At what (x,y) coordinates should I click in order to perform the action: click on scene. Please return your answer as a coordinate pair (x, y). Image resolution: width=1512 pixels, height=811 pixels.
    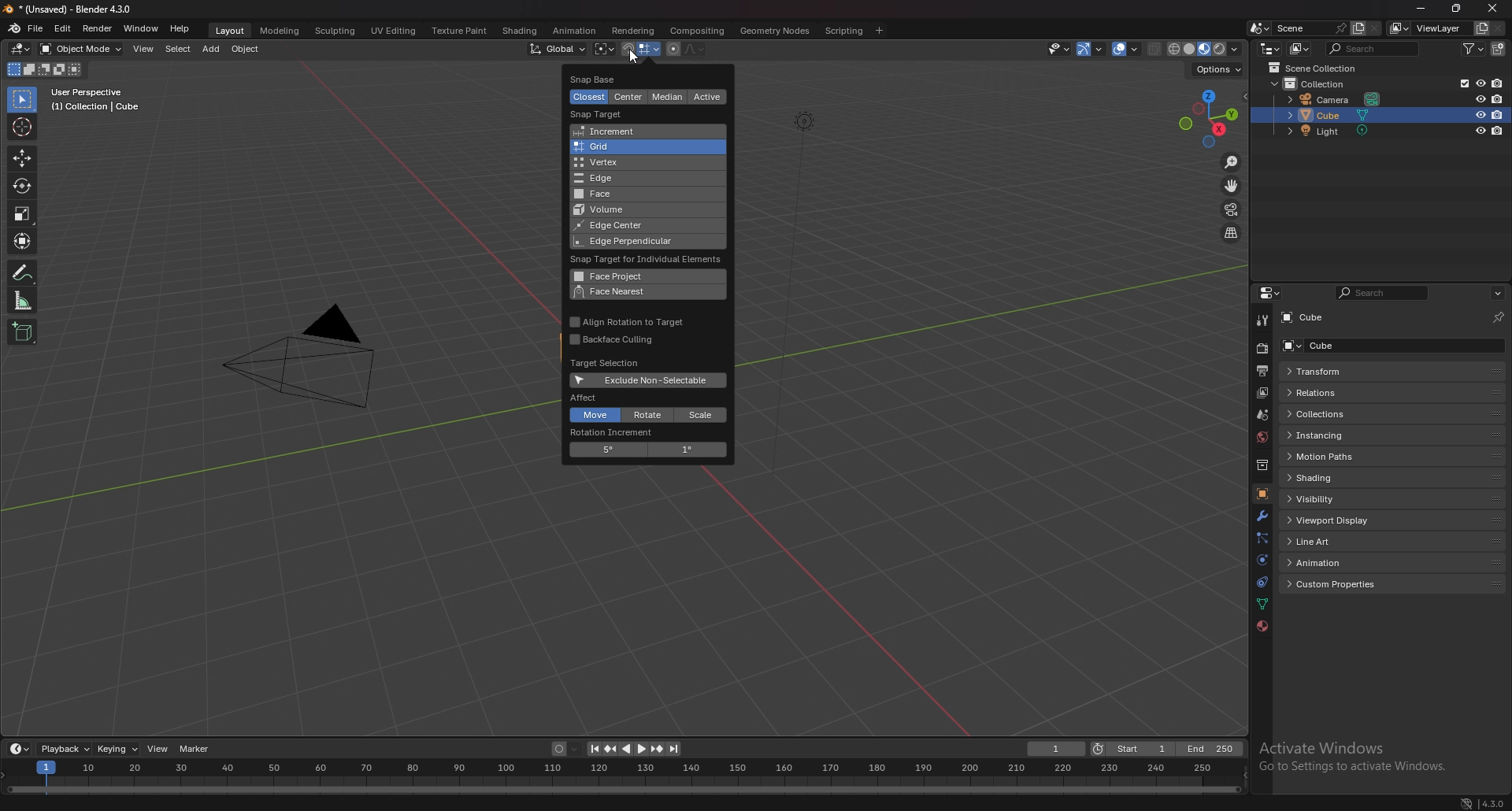
    Looking at the image, I should click on (1262, 415).